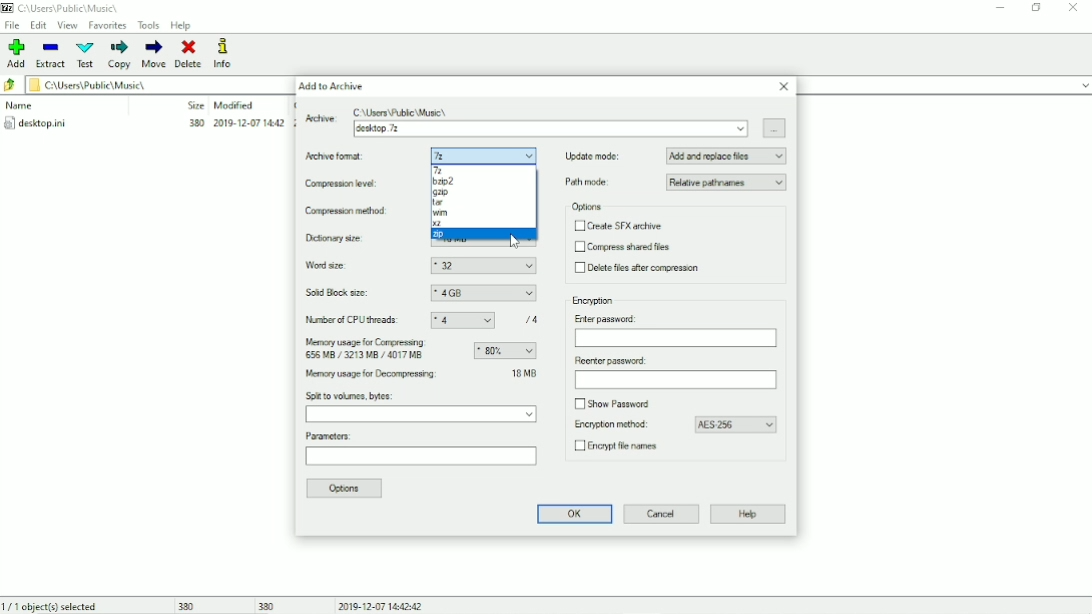 The height and width of the screenshot is (614, 1092). Describe the element at coordinates (1001, 8) in the screenshot. I see `Minimize` at that location.